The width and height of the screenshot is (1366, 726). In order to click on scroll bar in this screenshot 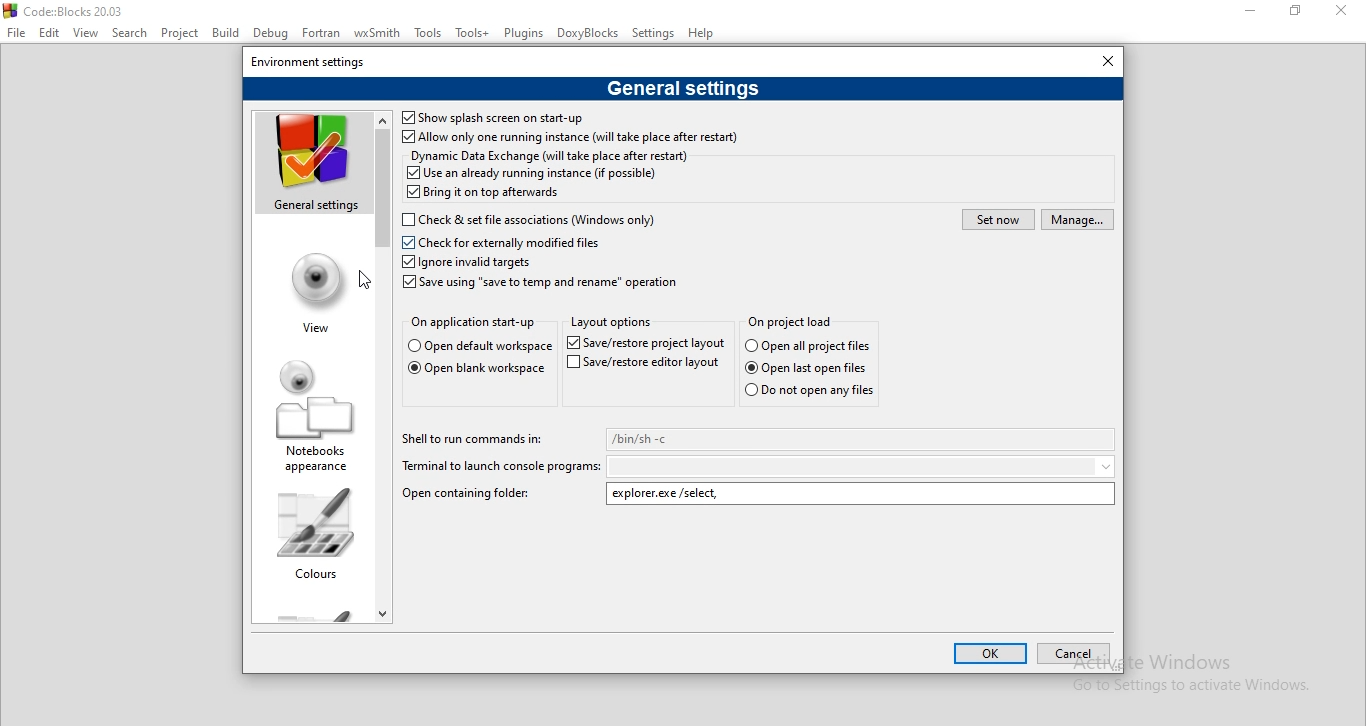, I will do `click(383, 364)`.